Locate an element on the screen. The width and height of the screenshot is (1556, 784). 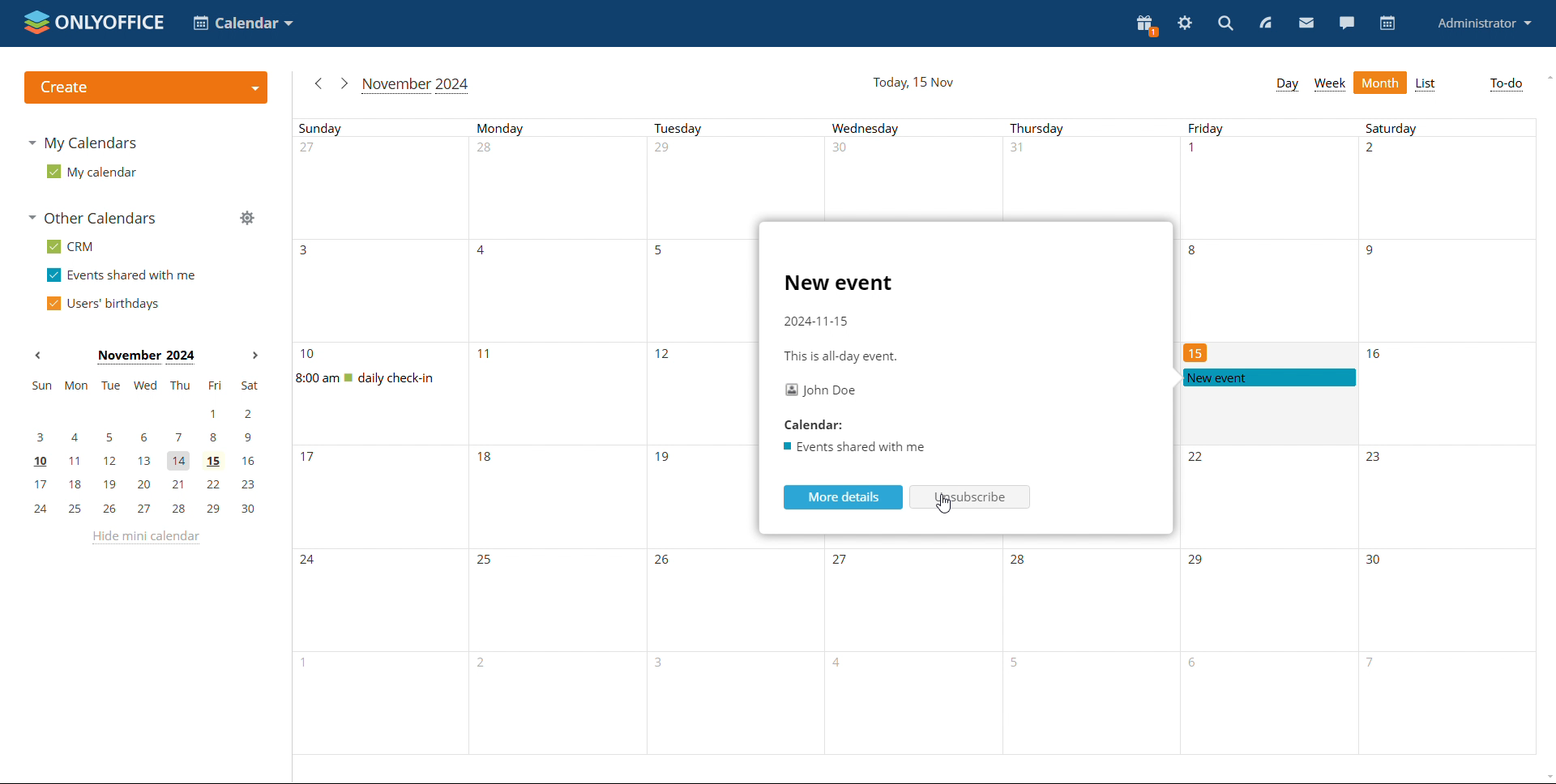
cursor is located at coordinates (947, 505).